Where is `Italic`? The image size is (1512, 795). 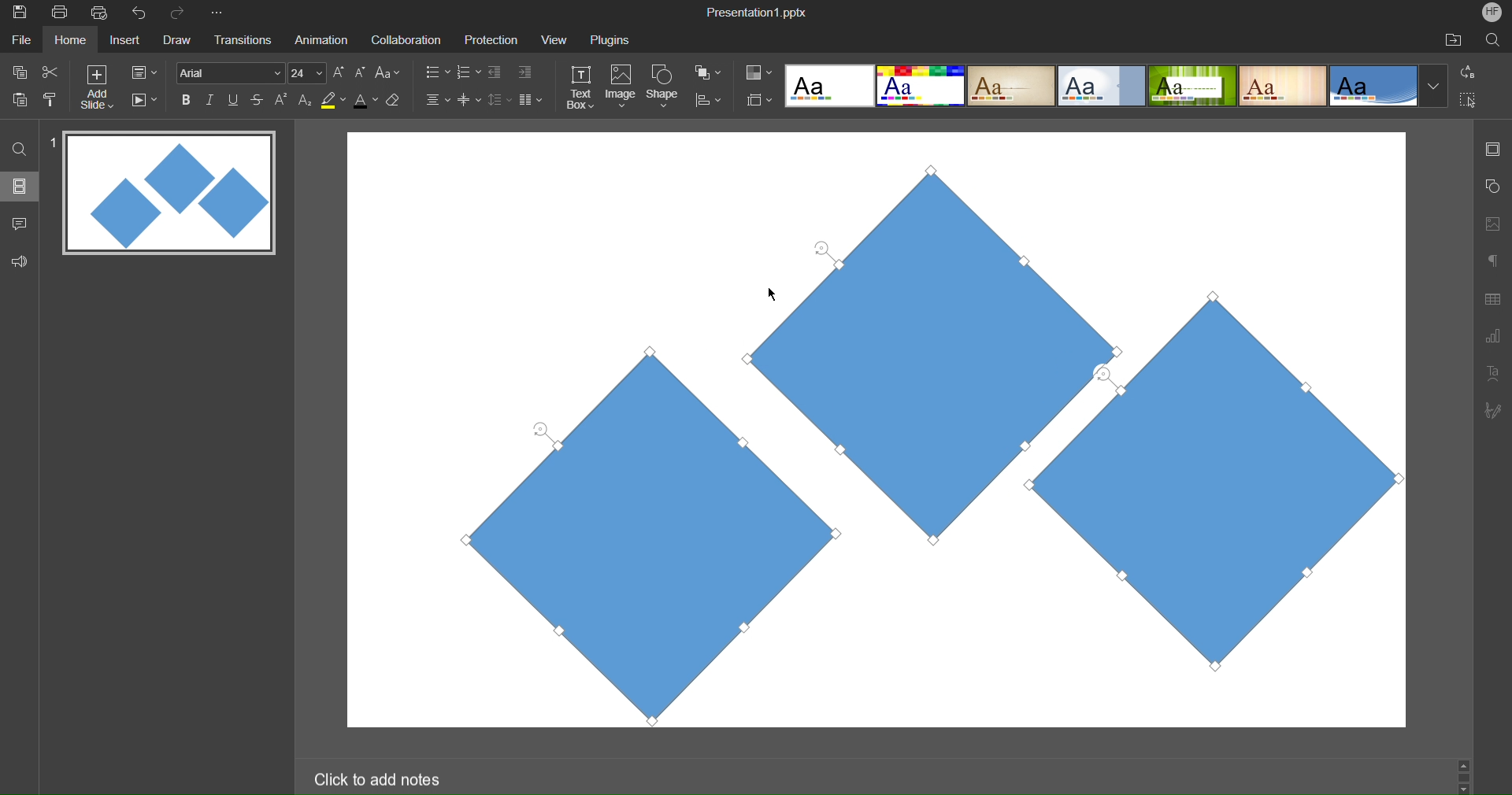 Italic is located at coordinates (209, 100).